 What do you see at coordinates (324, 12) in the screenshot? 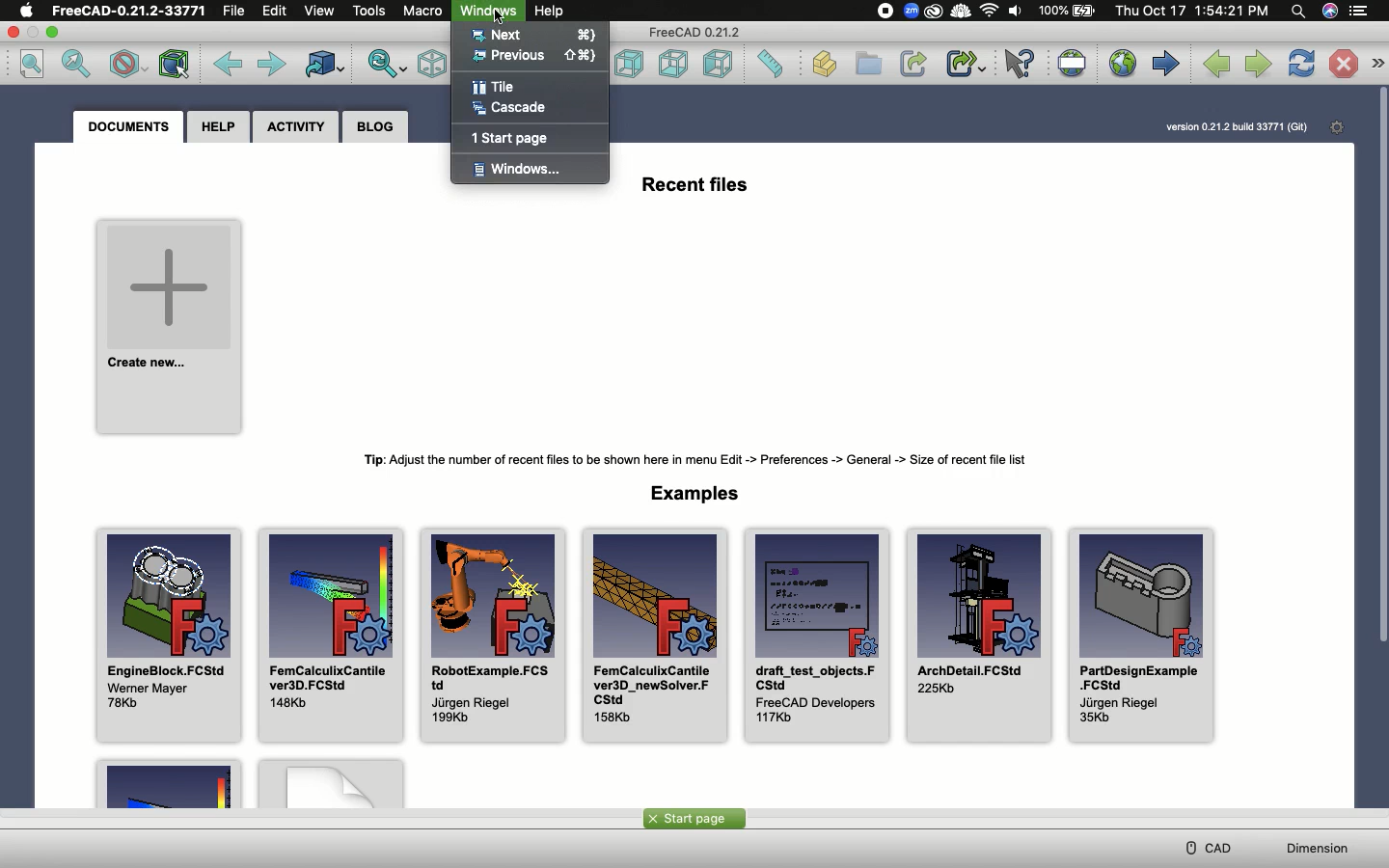
I see `View` at bounding box center [324, 12].